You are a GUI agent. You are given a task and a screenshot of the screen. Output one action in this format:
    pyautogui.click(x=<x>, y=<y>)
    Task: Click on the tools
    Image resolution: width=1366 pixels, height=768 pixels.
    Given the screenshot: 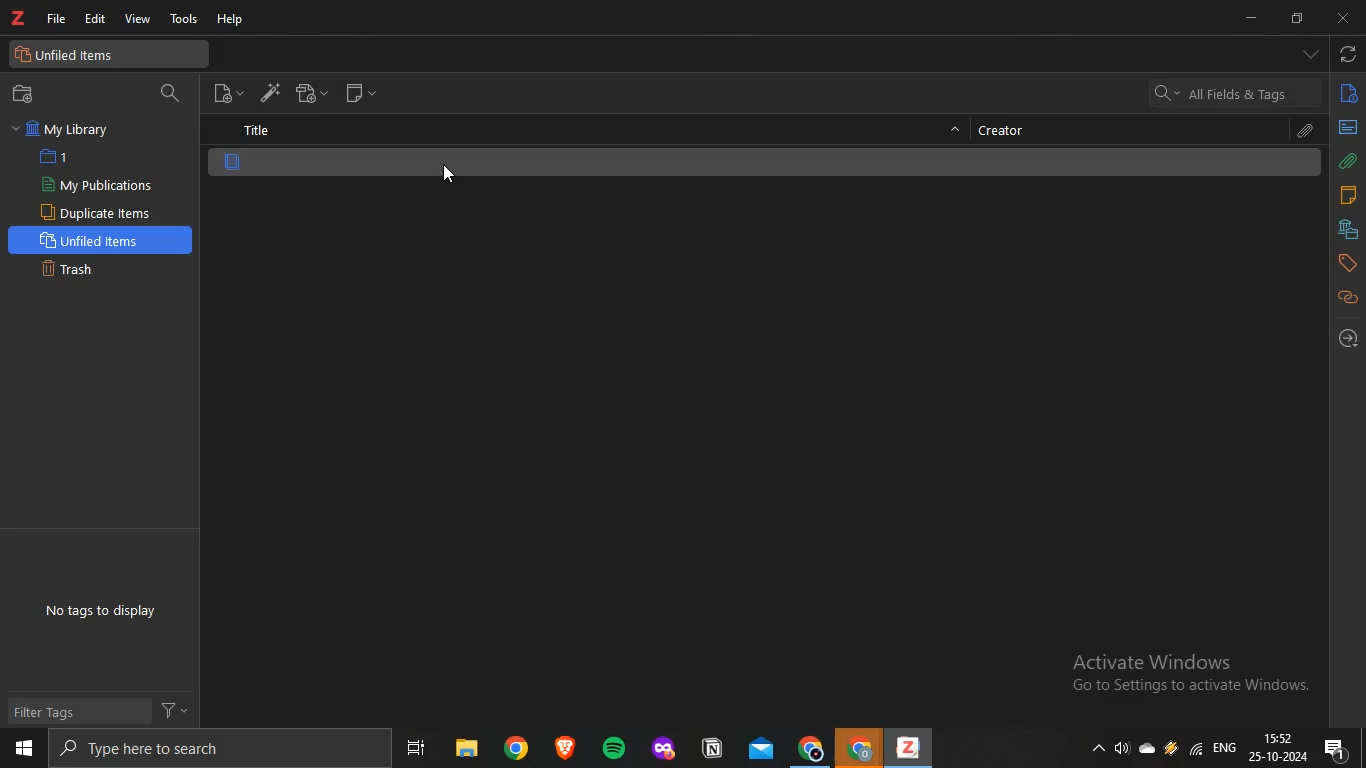 What is the action you would take?
    pyautogui.click(x=185, y=21)
    